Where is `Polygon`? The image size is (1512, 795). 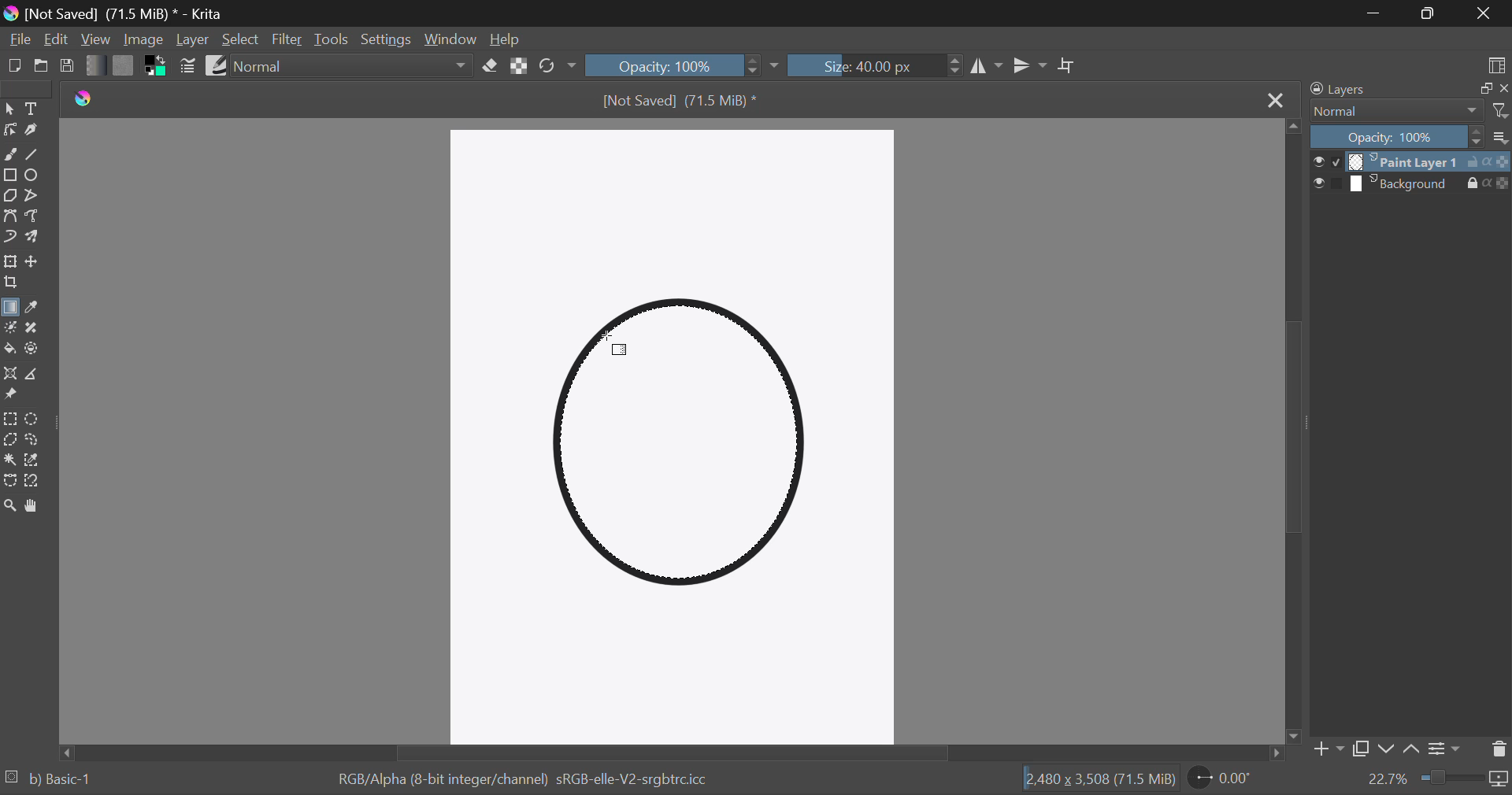 Polygon is located at coordinates (11, 197).